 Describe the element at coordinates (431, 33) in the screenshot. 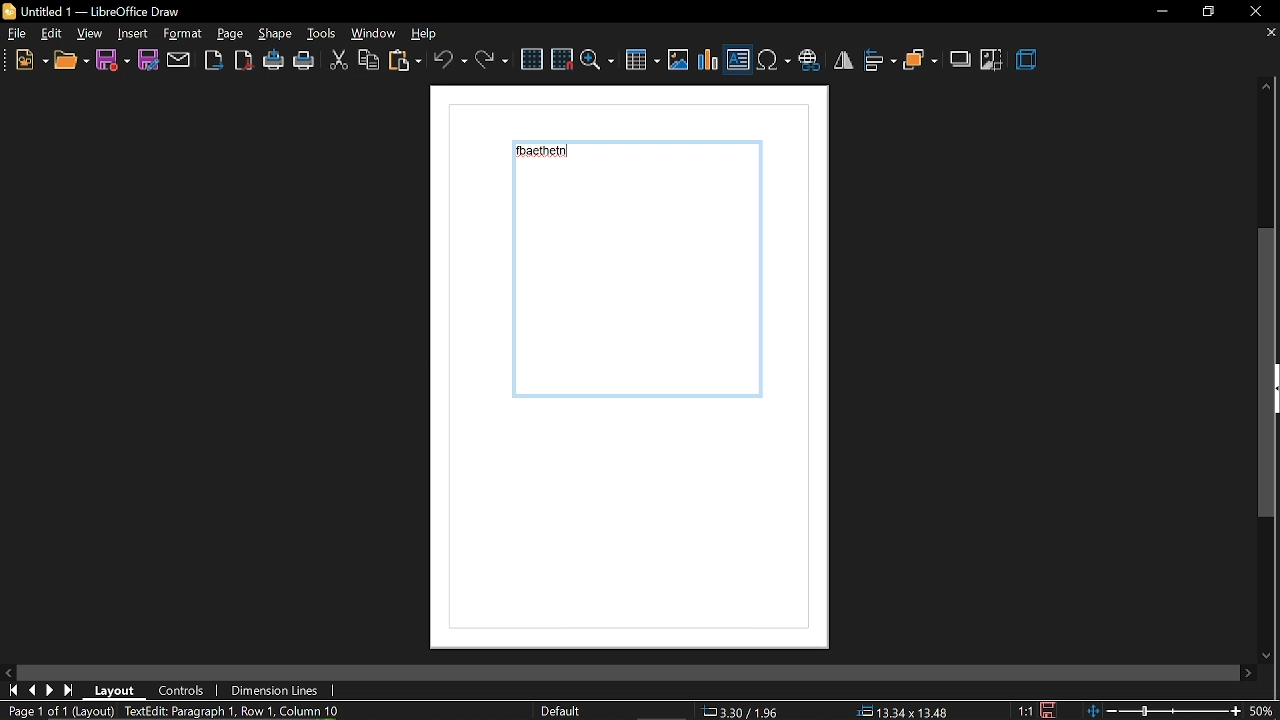

I see `help` at that location.